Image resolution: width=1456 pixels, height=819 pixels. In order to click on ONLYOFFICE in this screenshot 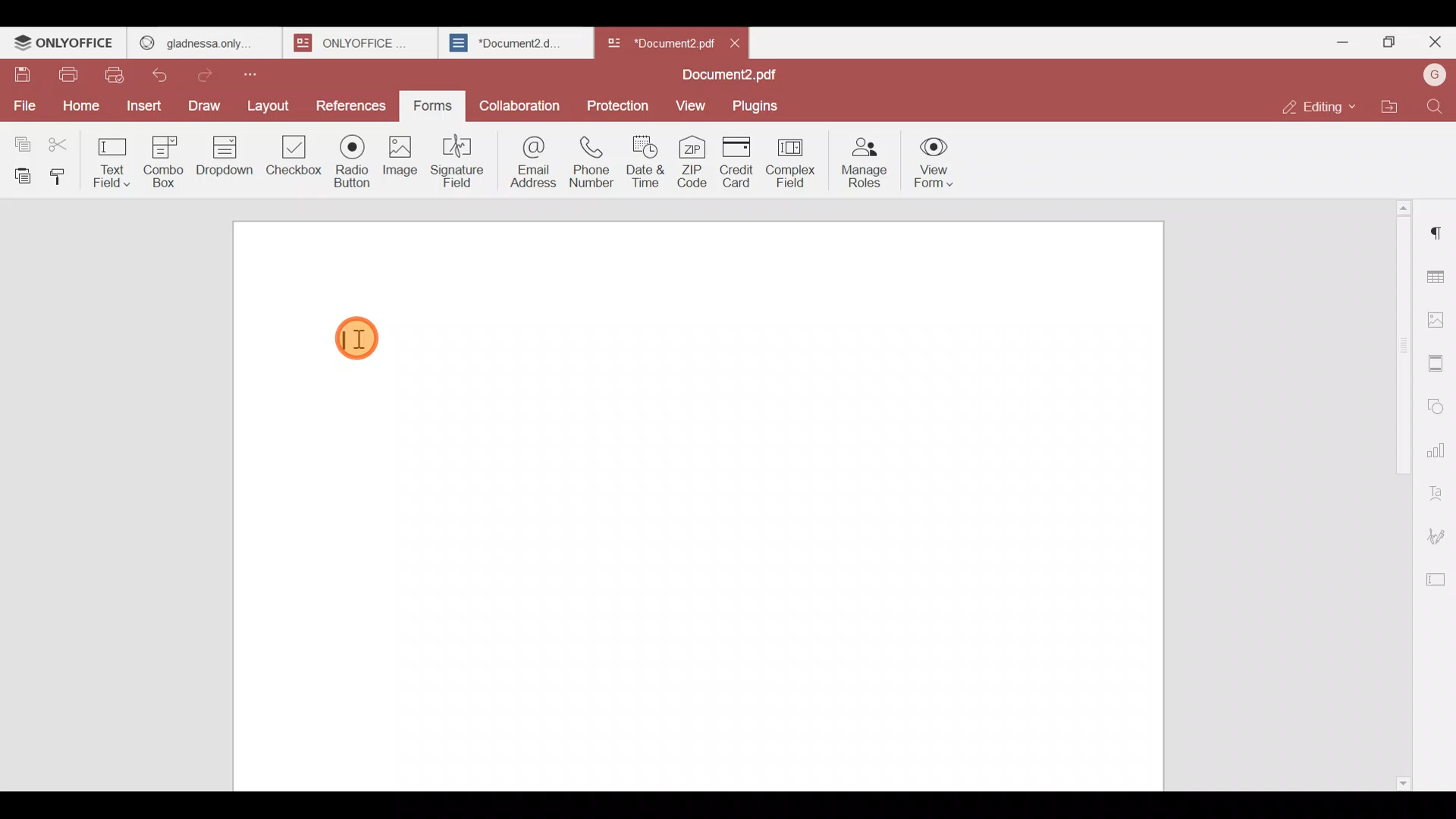, I will do `click(64, 42)`.